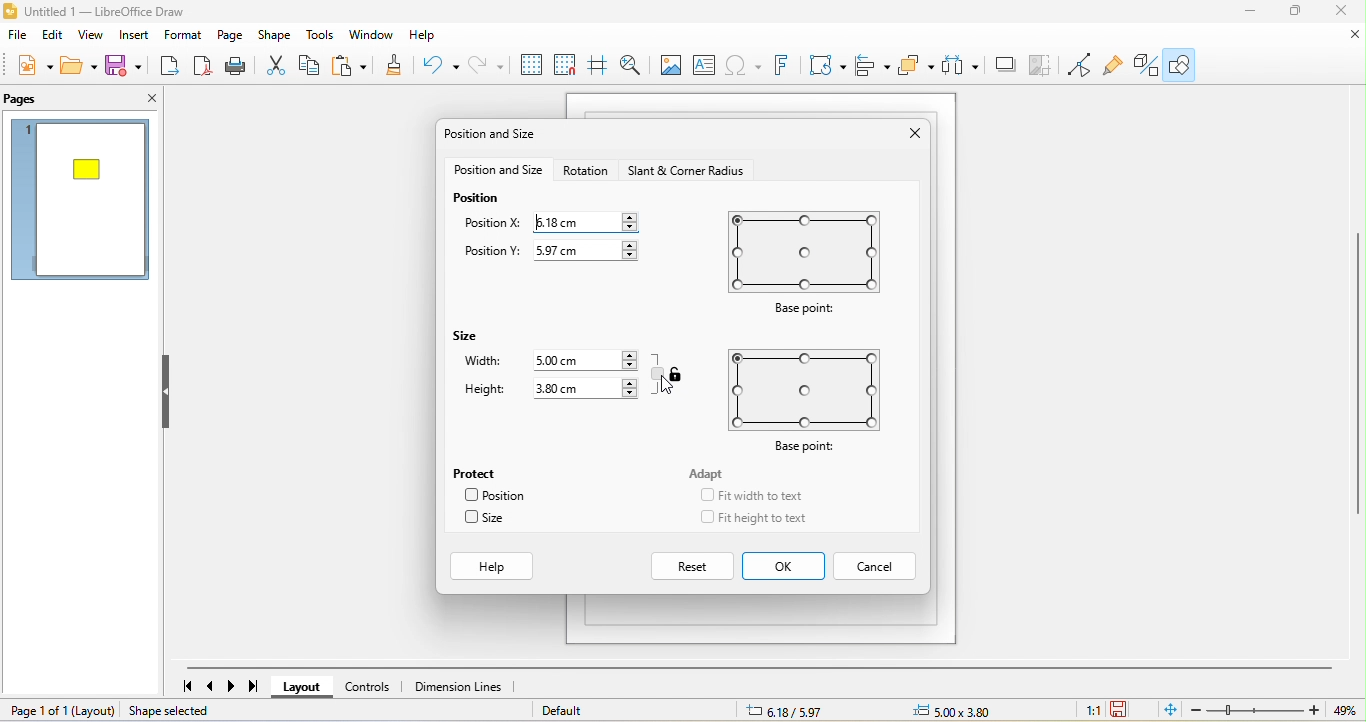 The image size is (1366, 722). I want to click on open, so click(78, 68).